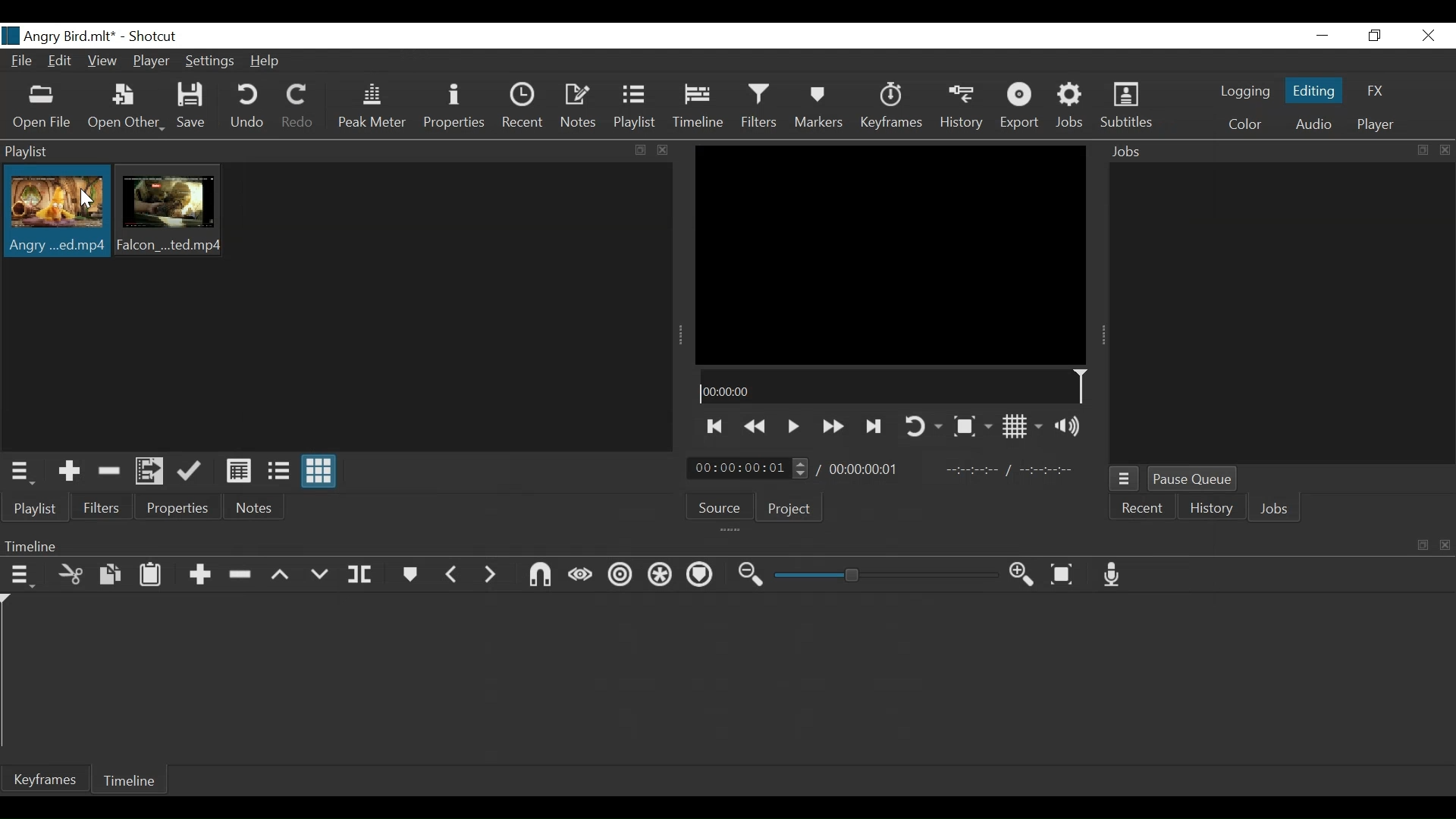 This screenshot has width=1456, height=819. Describe the element at coordinates (965, 107) in the screenshot. I see `History` at that location.